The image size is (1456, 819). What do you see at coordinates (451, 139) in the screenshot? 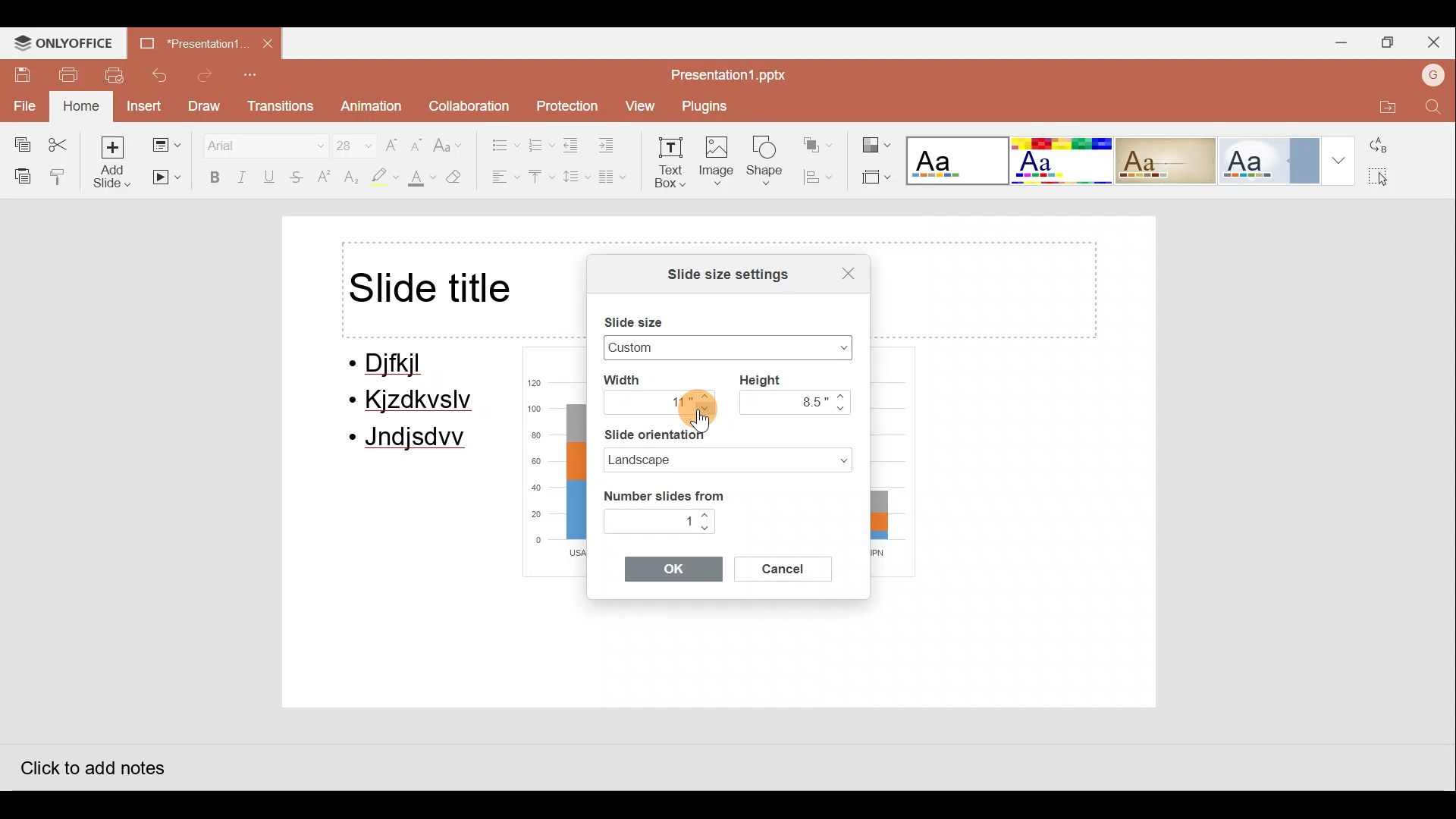
I see `Change case` at bounding box center [451, 139].